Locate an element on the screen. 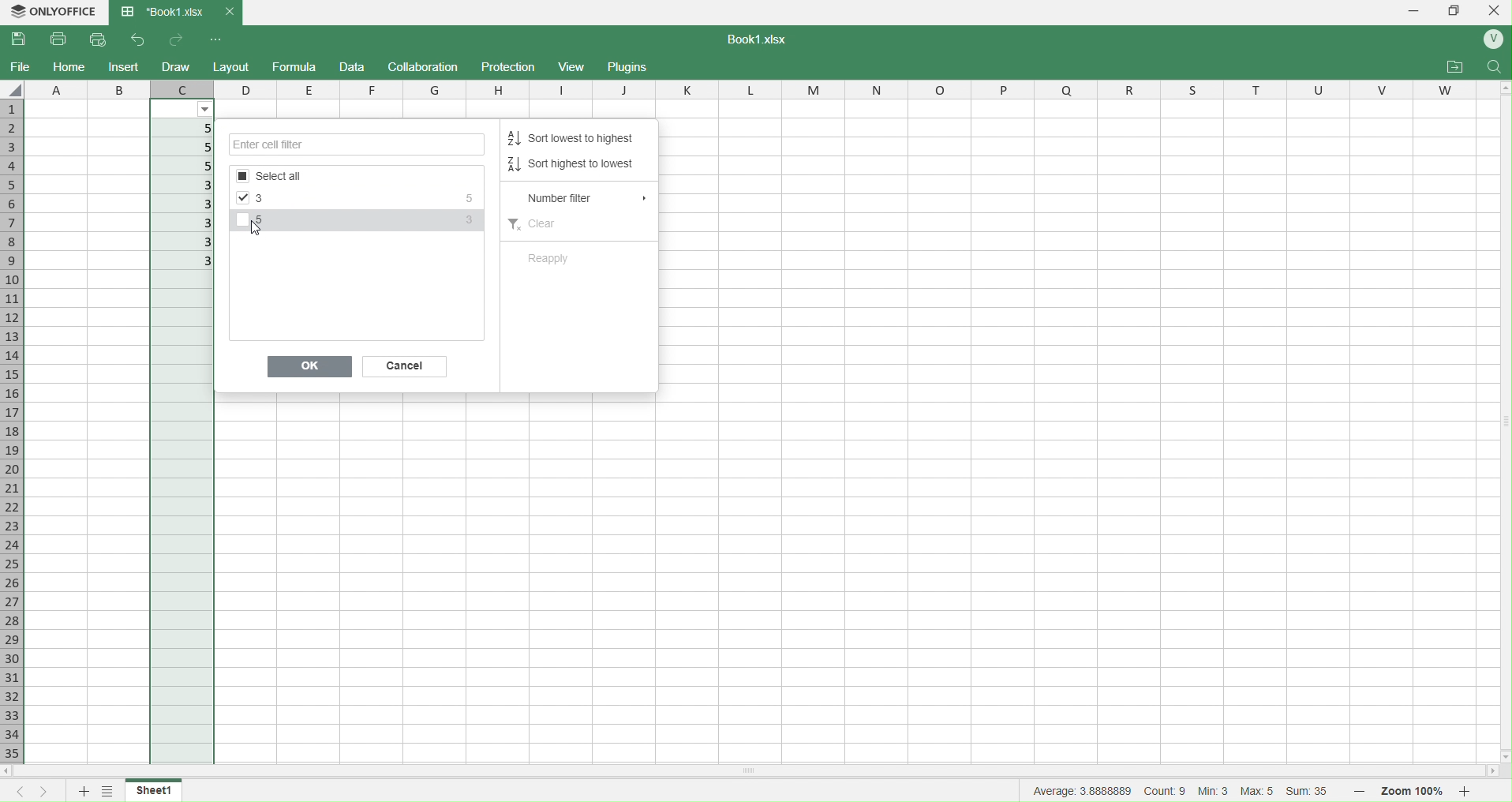 This screenshot has width=1512, height=802. Home is located at coordinates (69, 67).